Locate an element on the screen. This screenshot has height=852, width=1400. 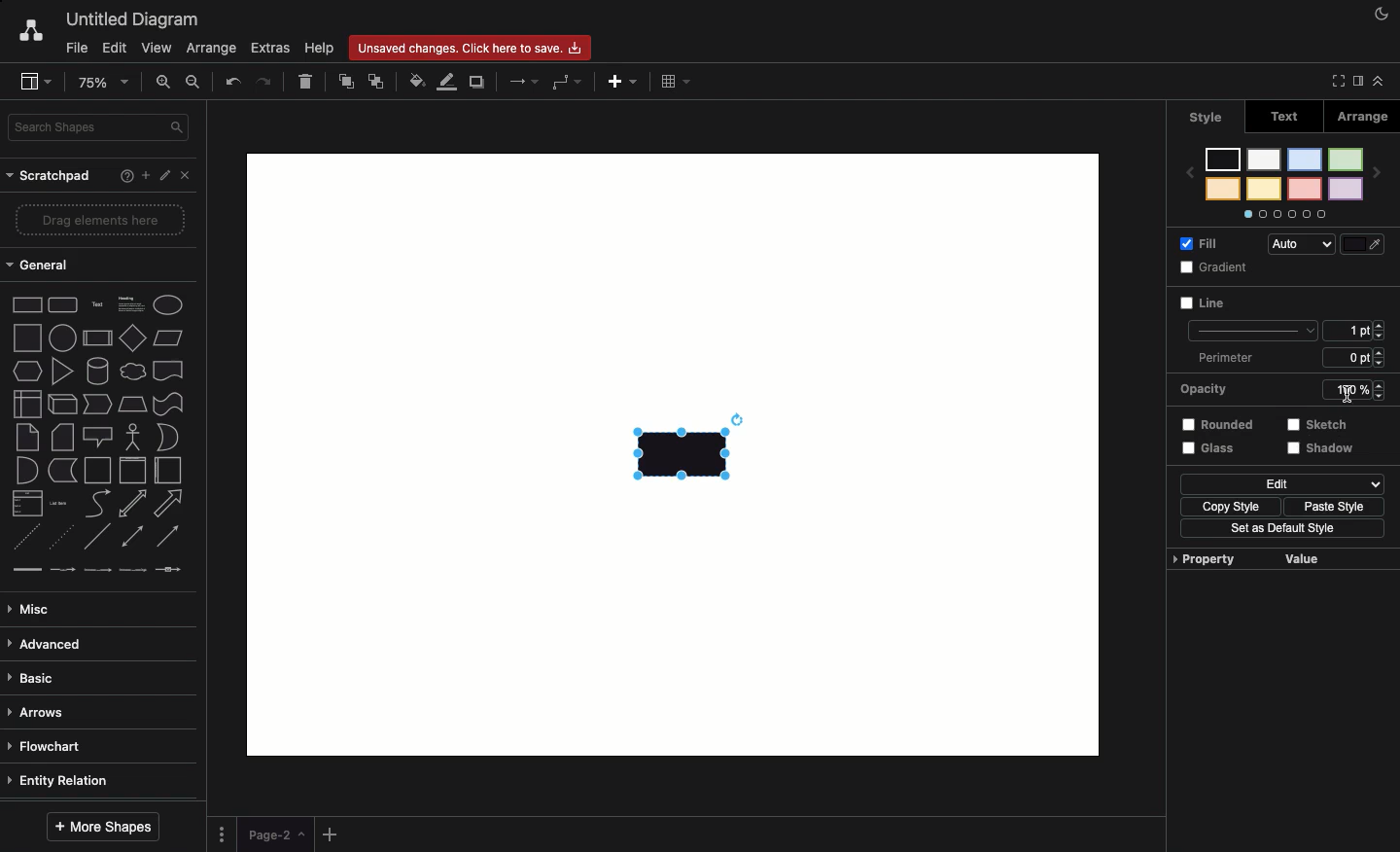
Close is located at coordinates (184, 178).